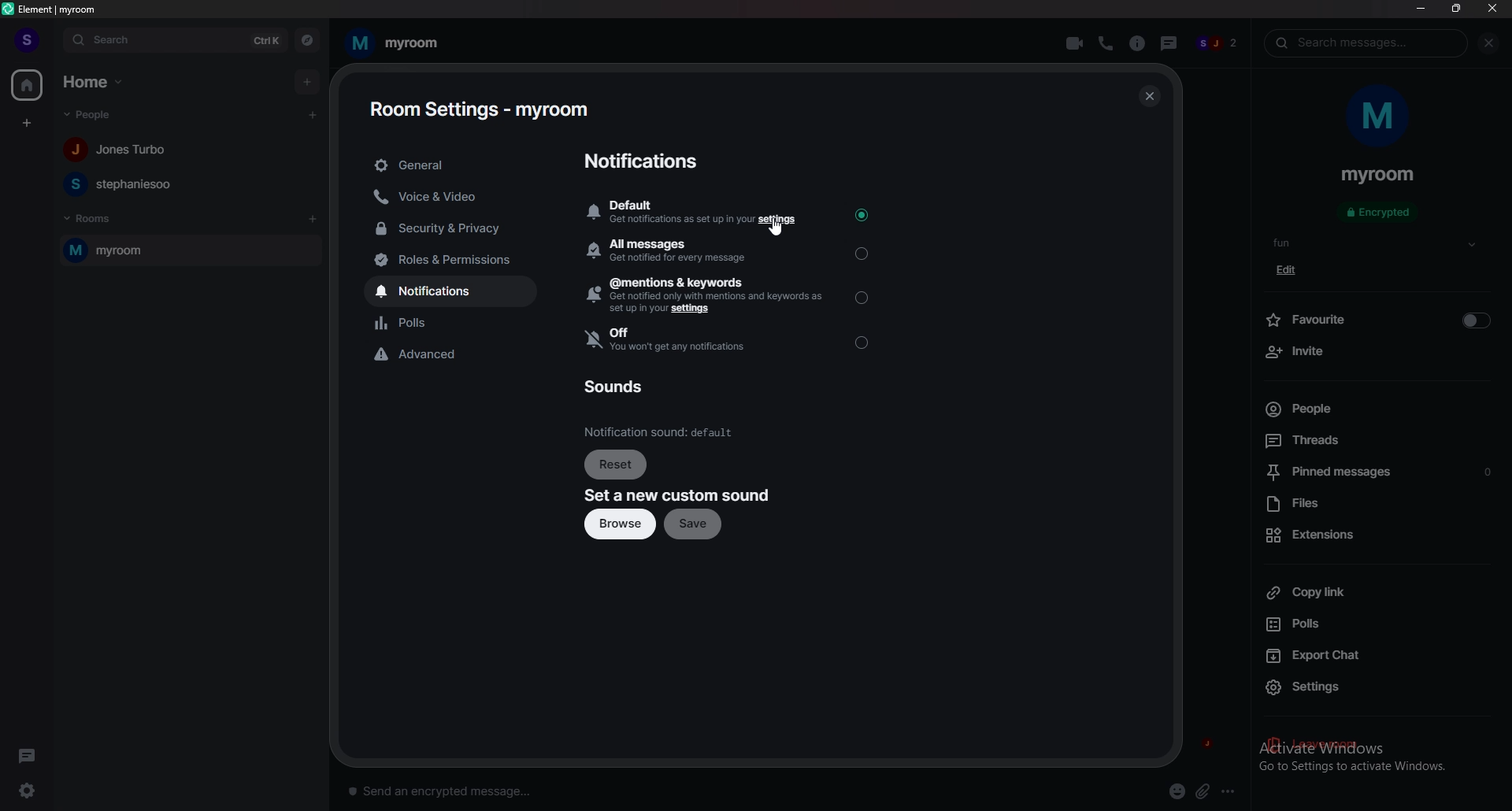 The height and width of the screenshot is (811, 1512). I want to click on info, so click(1136, 43).